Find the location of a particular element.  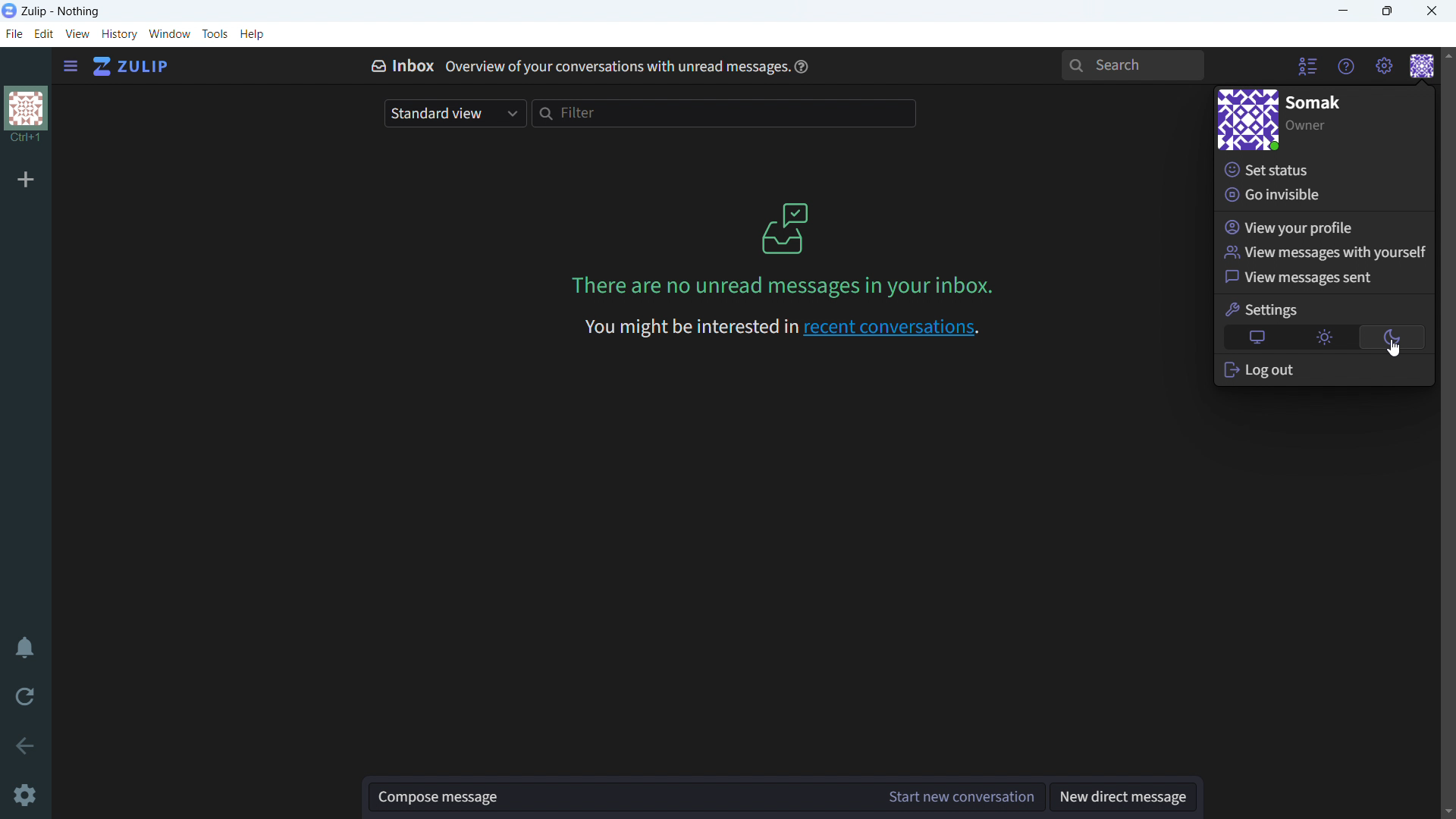

recent conversationa is located at coordinates (781, 326).